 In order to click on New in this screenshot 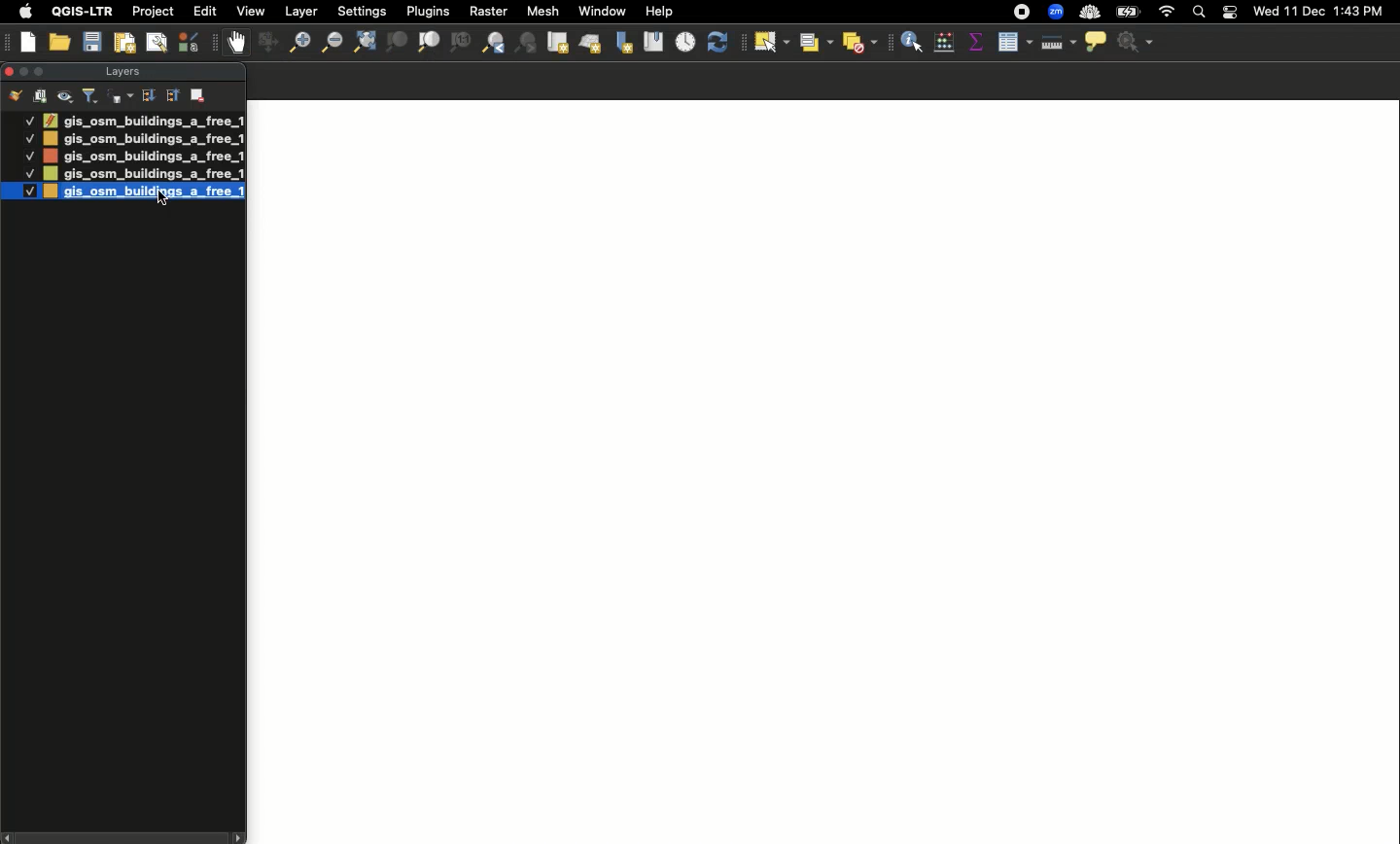, I will do `click(29, 42)`.